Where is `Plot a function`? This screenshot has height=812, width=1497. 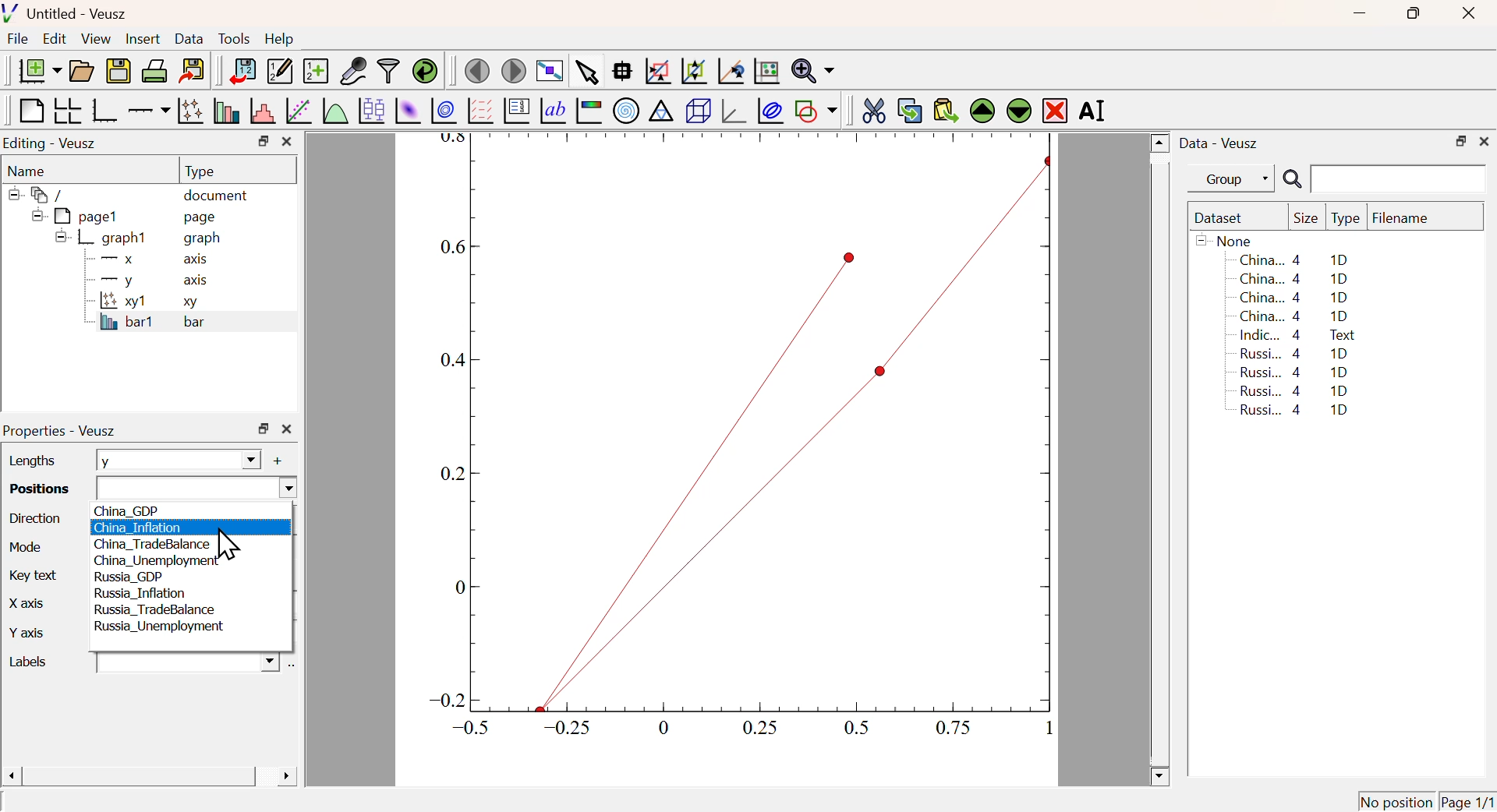 Plot a function is located at coordinates (333, 111).